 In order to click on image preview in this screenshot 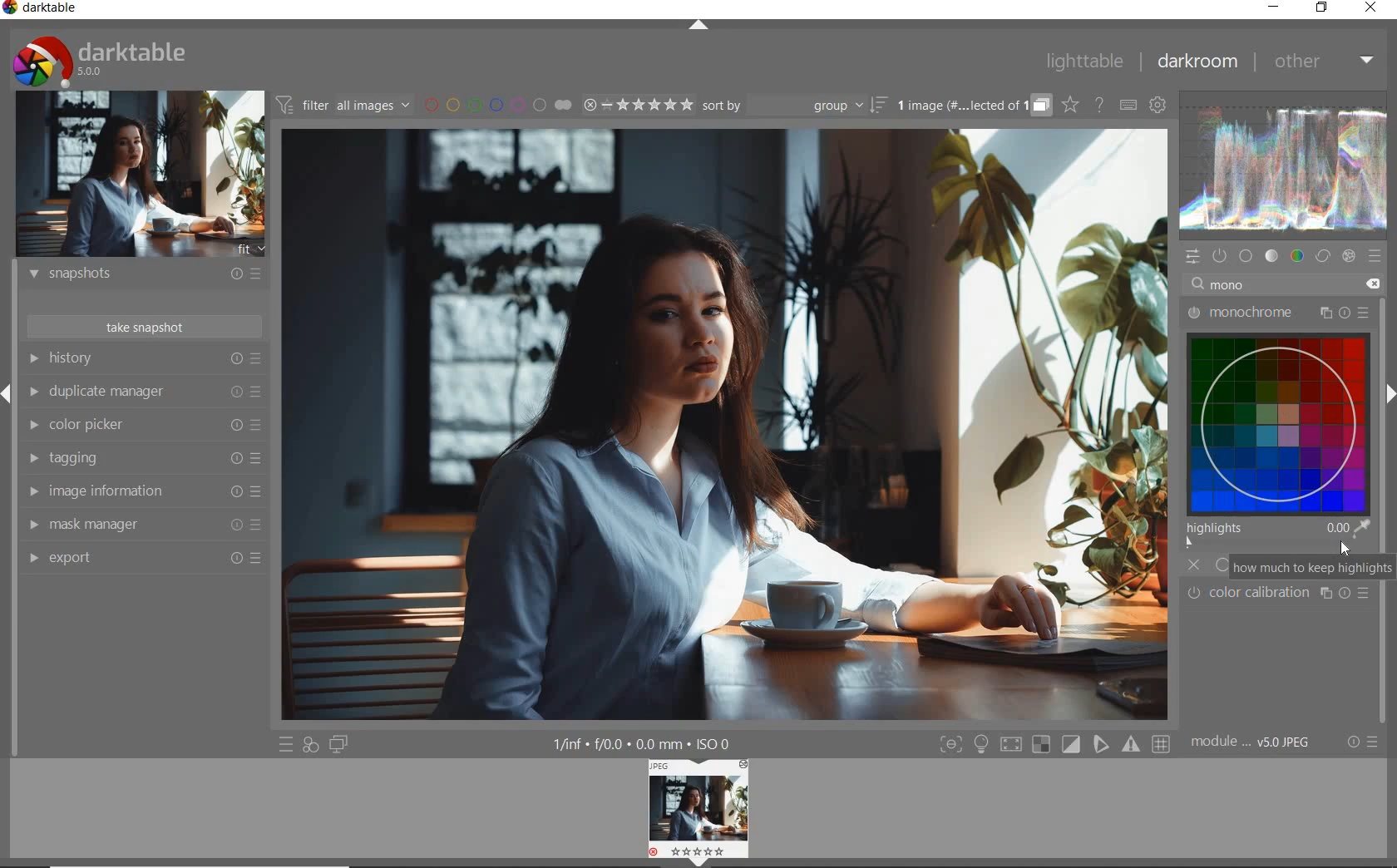, I will do `click(140, 172)`.